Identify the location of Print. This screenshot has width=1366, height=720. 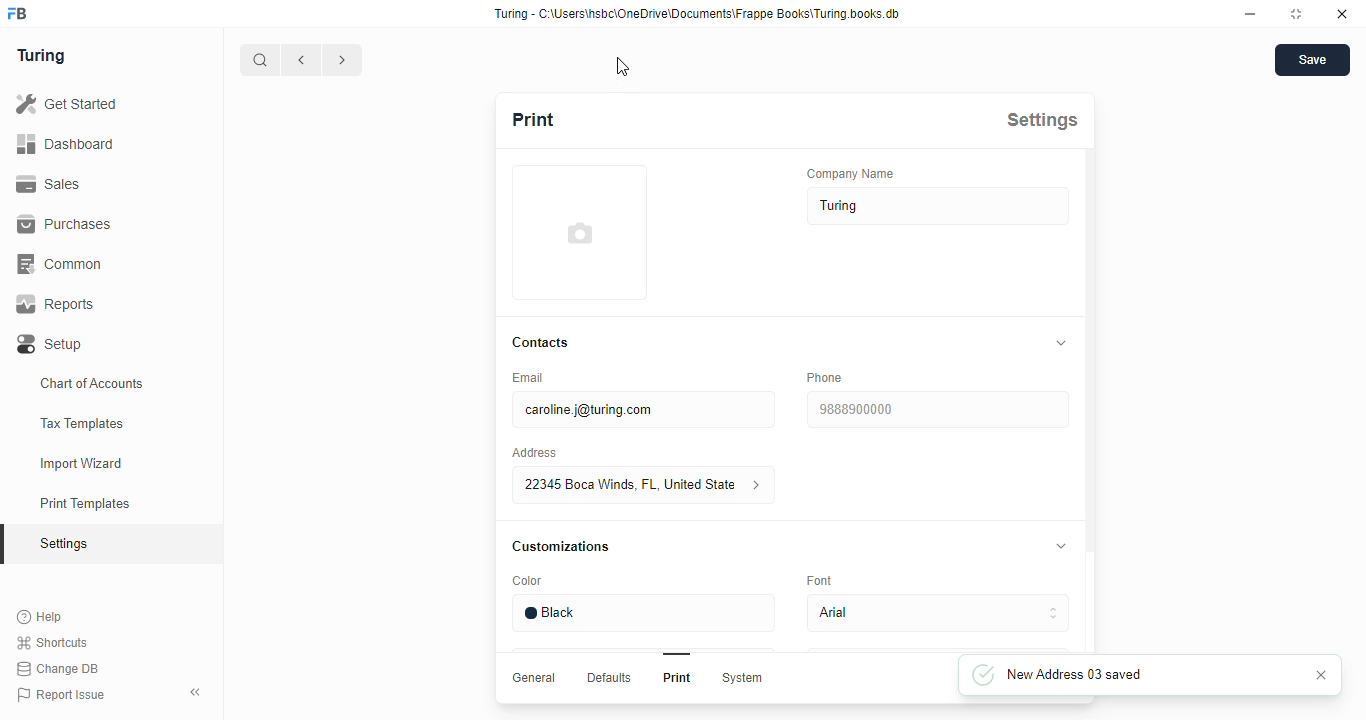
(678, 677).